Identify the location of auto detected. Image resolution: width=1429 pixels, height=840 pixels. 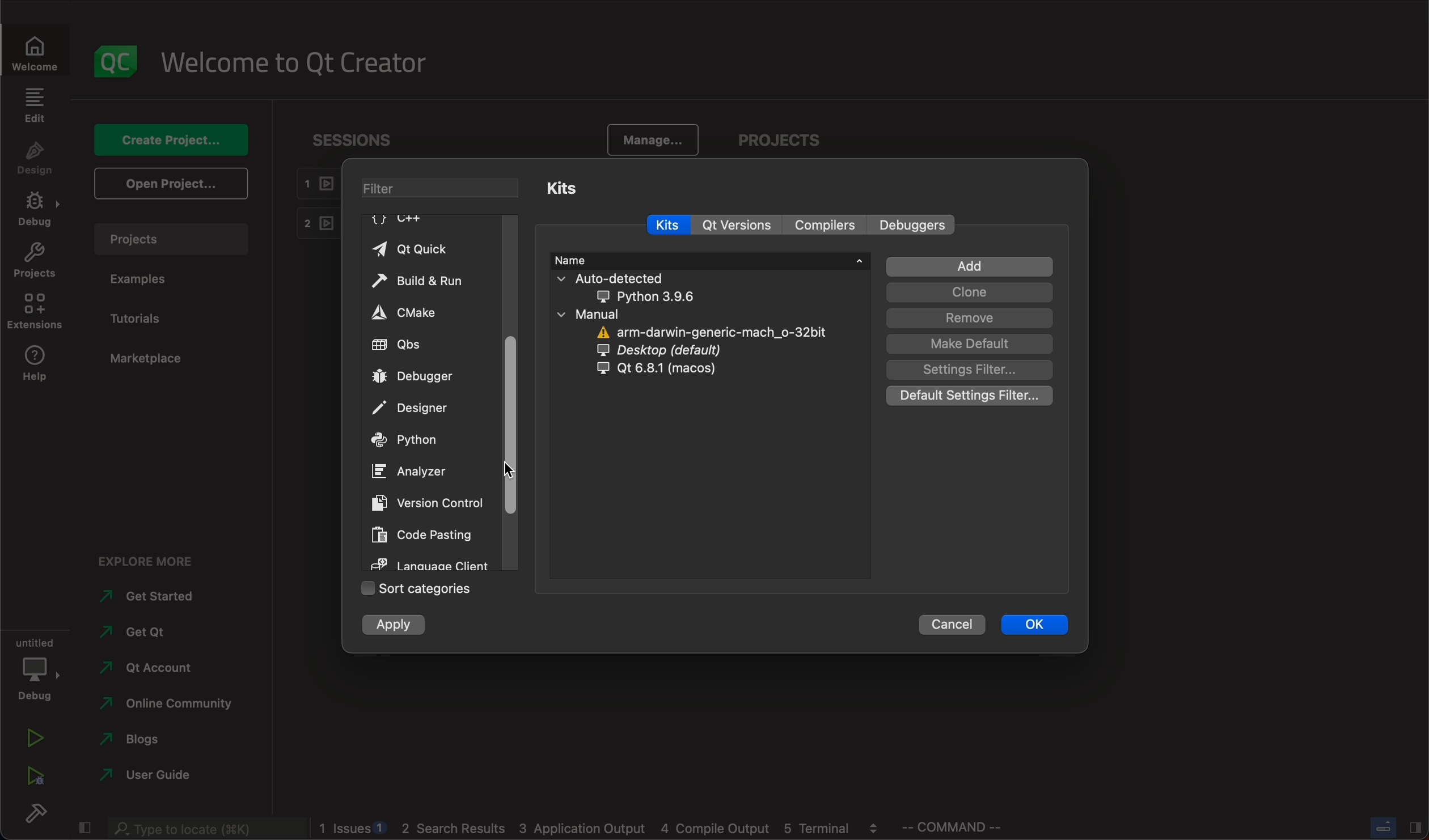
(649, 287).